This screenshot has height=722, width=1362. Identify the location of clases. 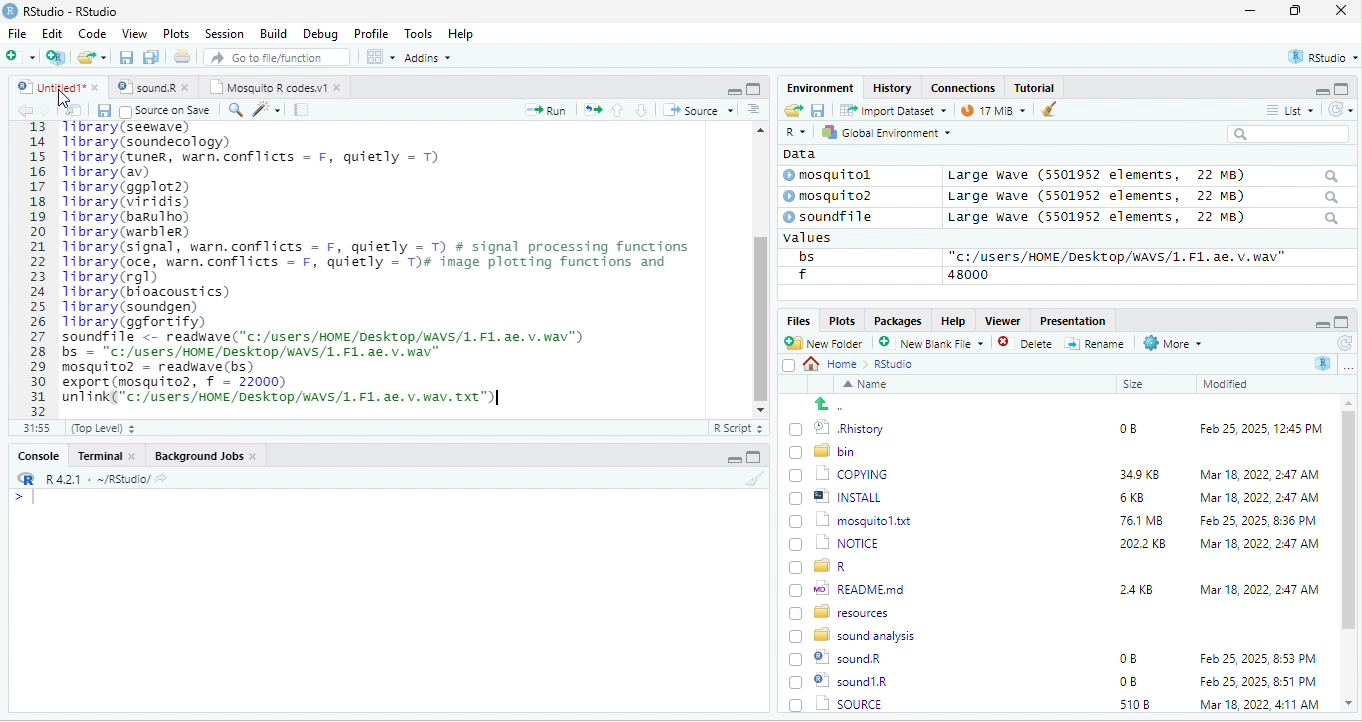
(965, 86).